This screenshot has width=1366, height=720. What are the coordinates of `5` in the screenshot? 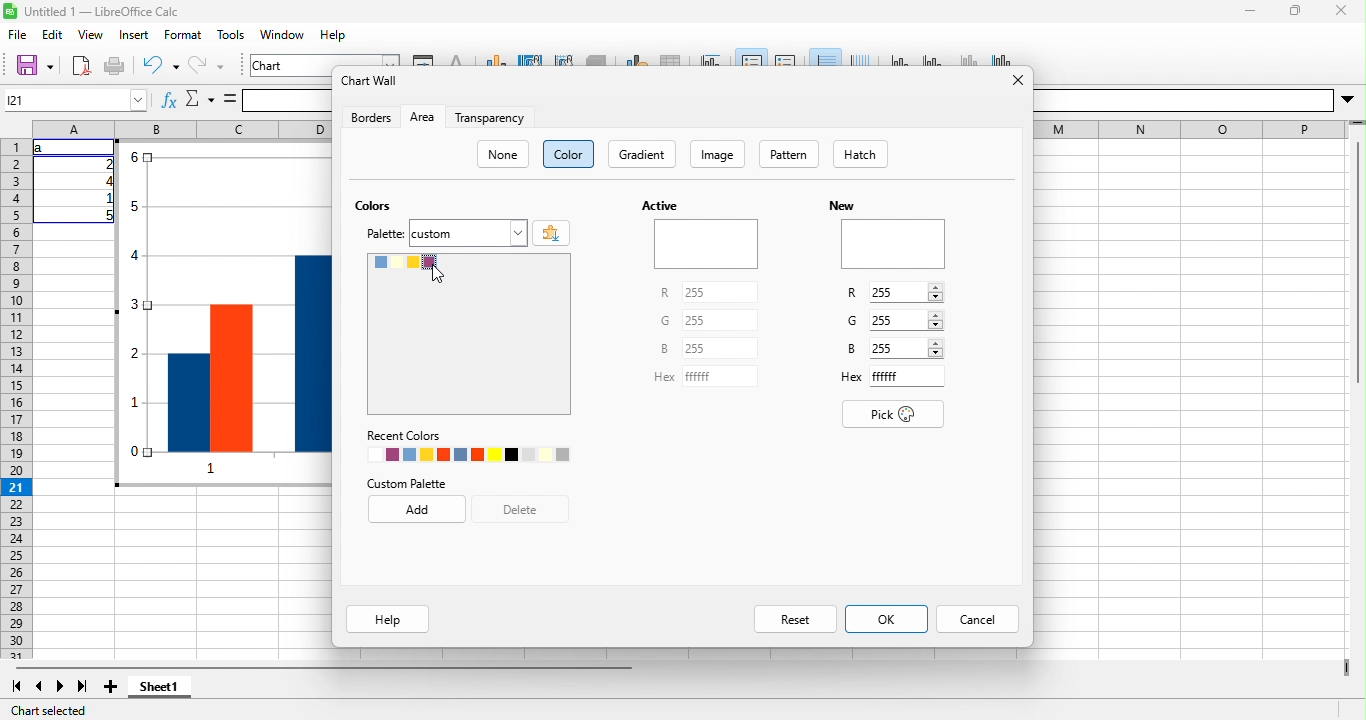 It's located at (106, 215).